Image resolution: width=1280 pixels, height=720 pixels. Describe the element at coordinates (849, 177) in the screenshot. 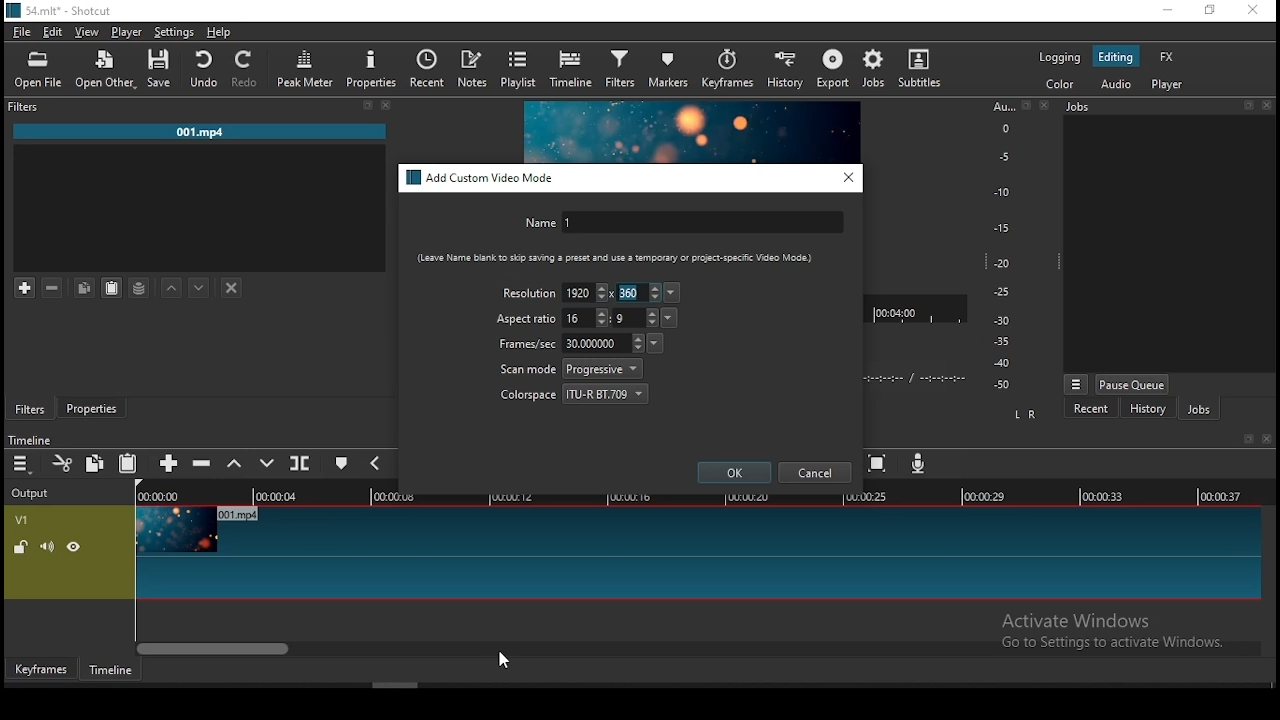

I see `close window` at that location.